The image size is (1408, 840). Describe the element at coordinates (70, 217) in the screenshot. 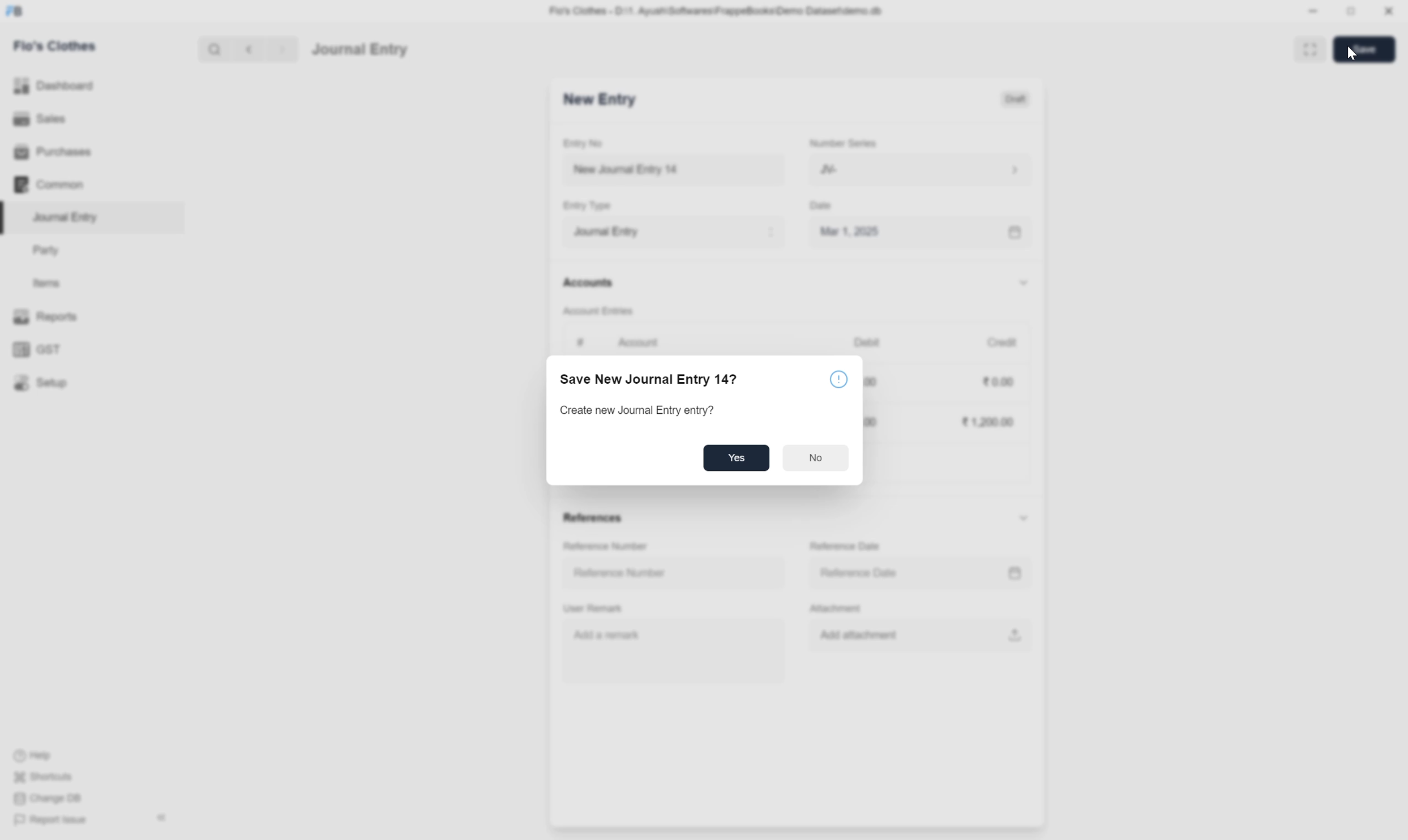

I see `Journal Entry` at that location.